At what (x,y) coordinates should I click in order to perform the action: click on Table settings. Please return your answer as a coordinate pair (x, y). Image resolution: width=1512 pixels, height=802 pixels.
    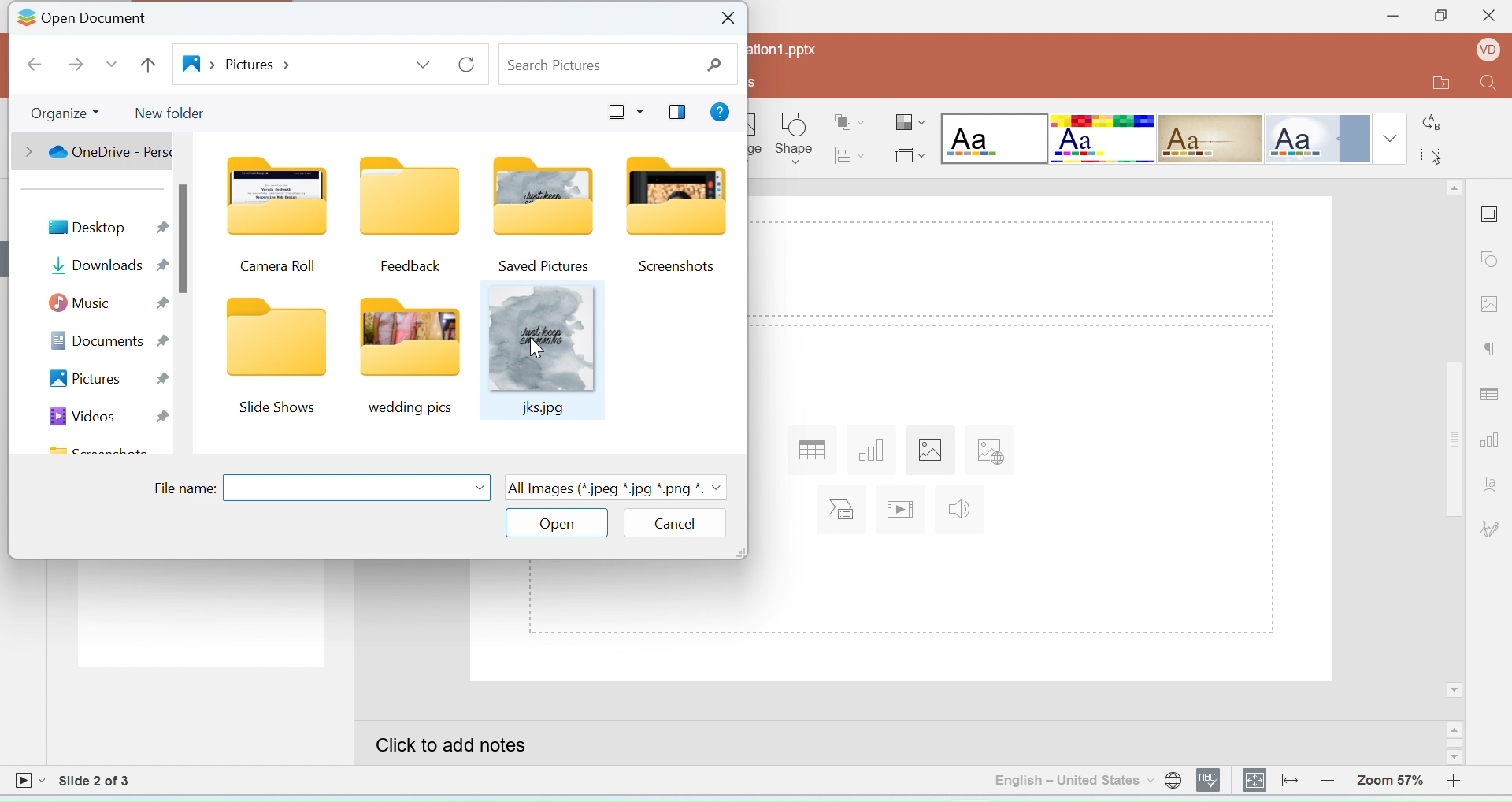
    Looking at the image, I should click on (1492, 391).